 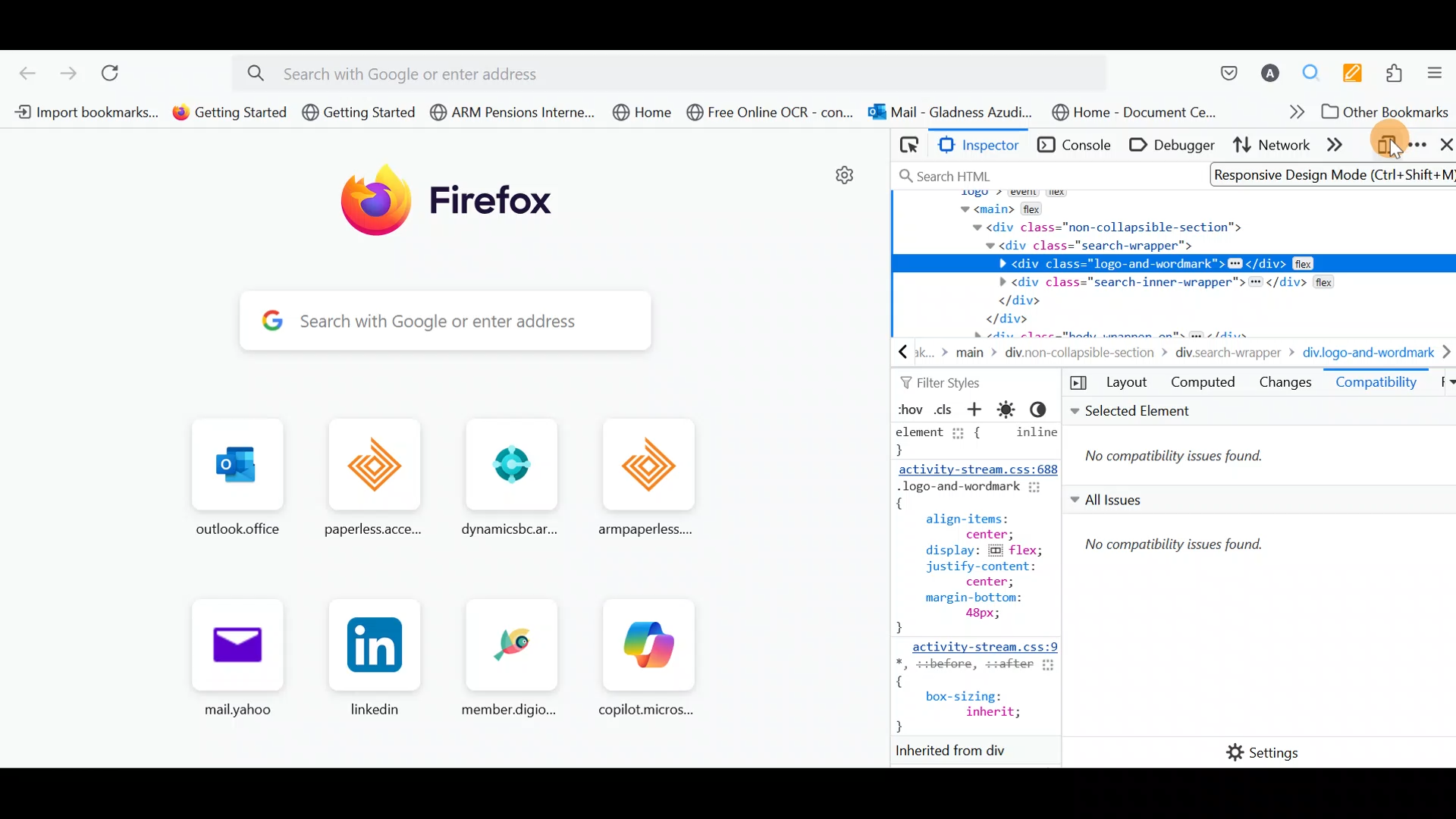 What do you see at coordinates (86, 114) in the screenshot?
I see `Bookmark 1` at bounding box center [86, 114].